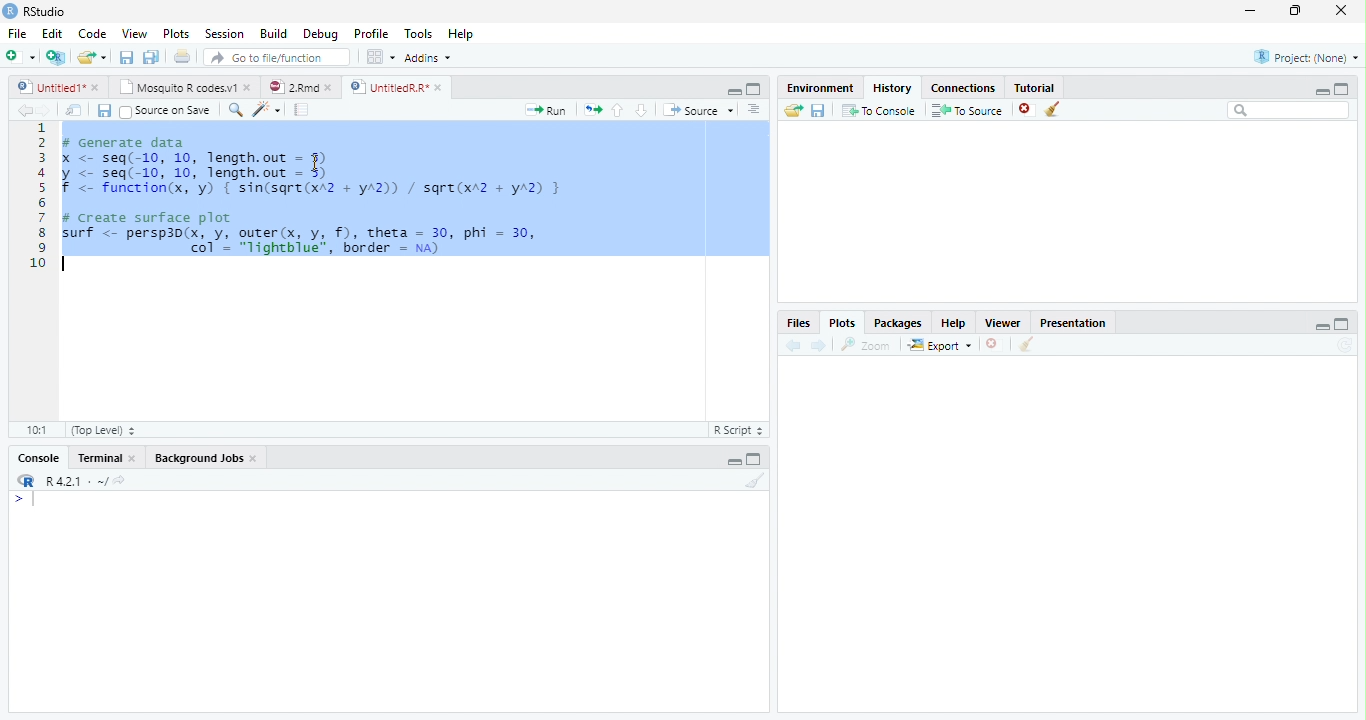 This screenshot has height=720, width=1366. I want to click on Packages, so click(898, 322).